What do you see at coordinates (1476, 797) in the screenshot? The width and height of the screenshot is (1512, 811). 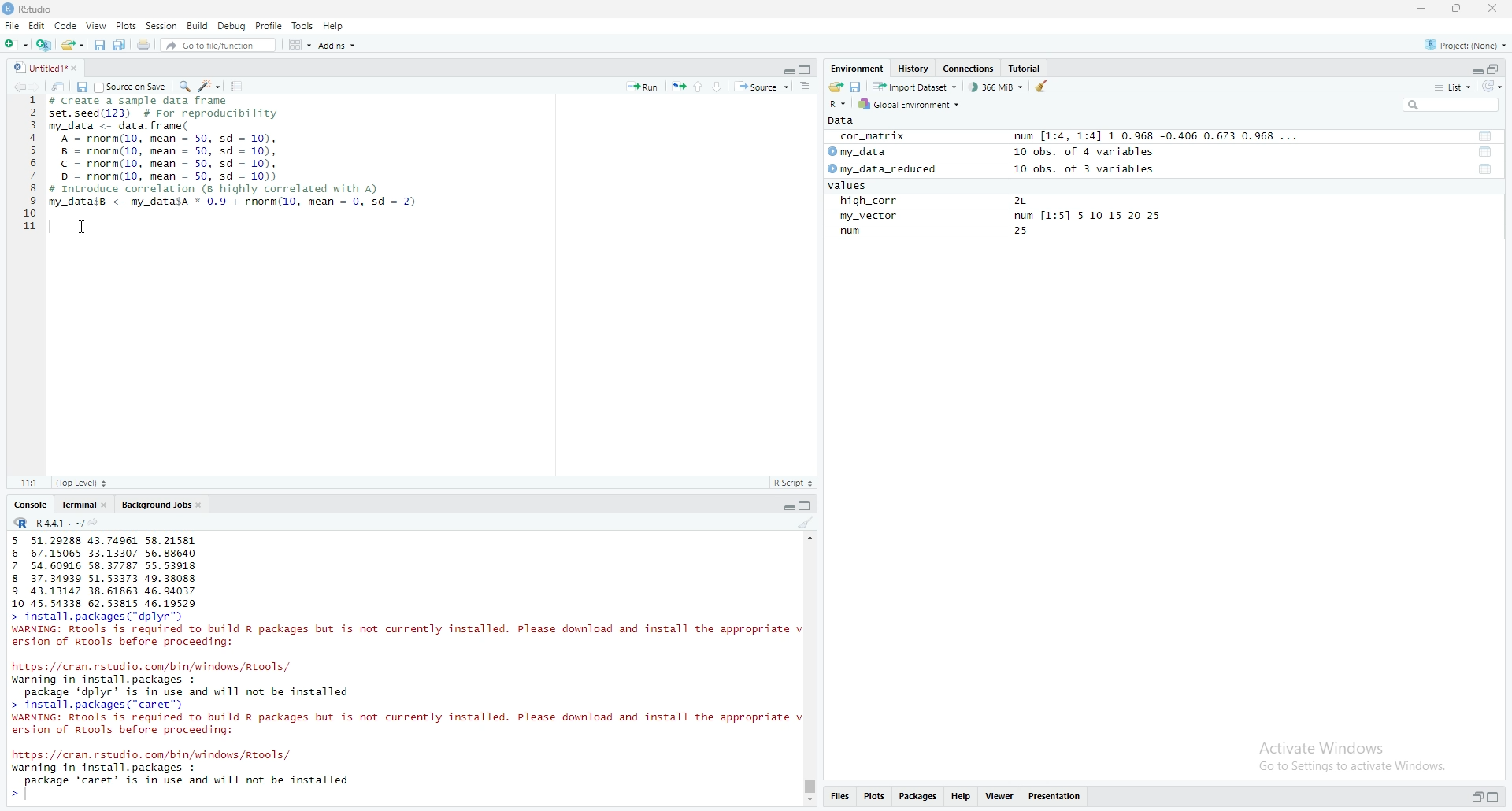 I see `open in separate window` at bounding box center [1476, 797].